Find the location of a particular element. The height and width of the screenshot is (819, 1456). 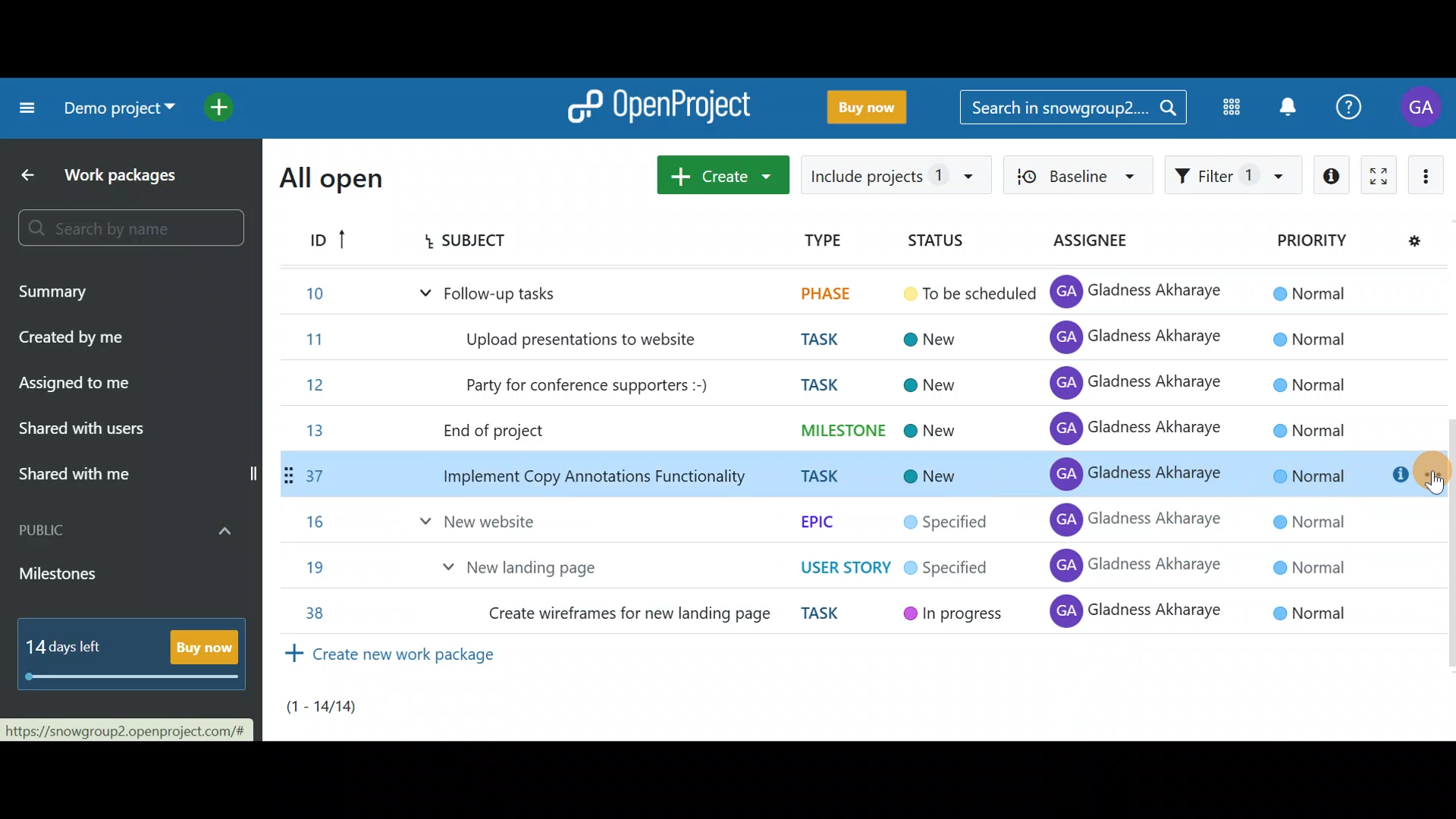

Demo project is located at coordinates (114, 111).